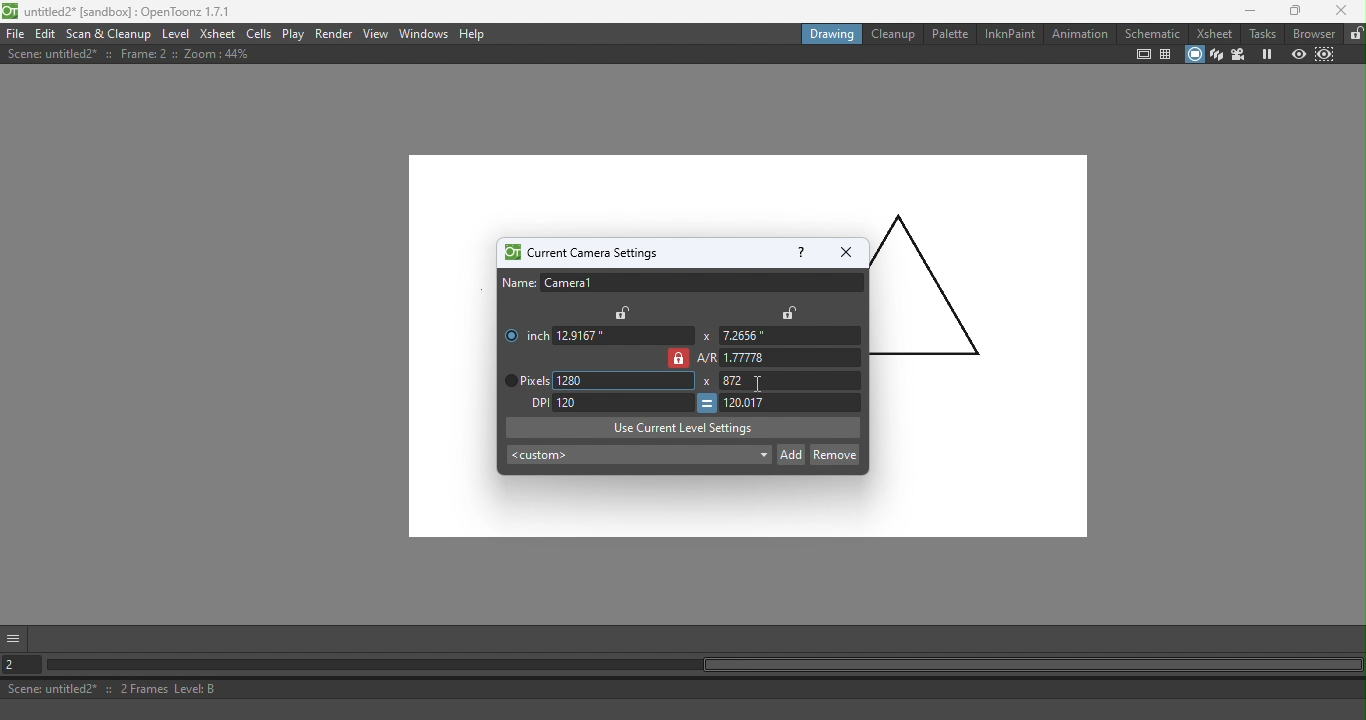 This screenshot has width=1366, height=720. I want to click on Lock, so click(624, 312).